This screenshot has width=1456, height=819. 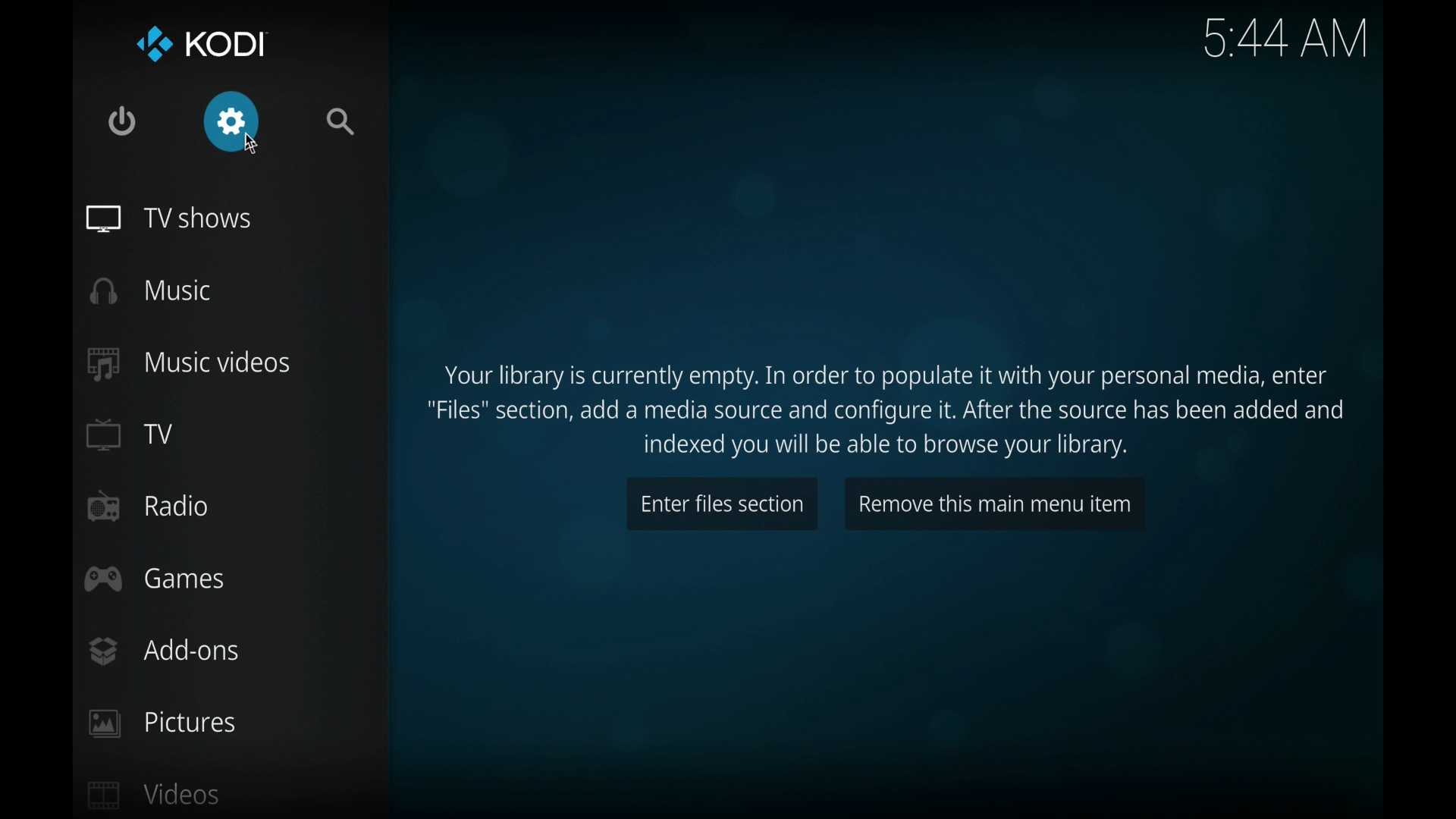 I want to click on time, so click(x=1287, y=38).